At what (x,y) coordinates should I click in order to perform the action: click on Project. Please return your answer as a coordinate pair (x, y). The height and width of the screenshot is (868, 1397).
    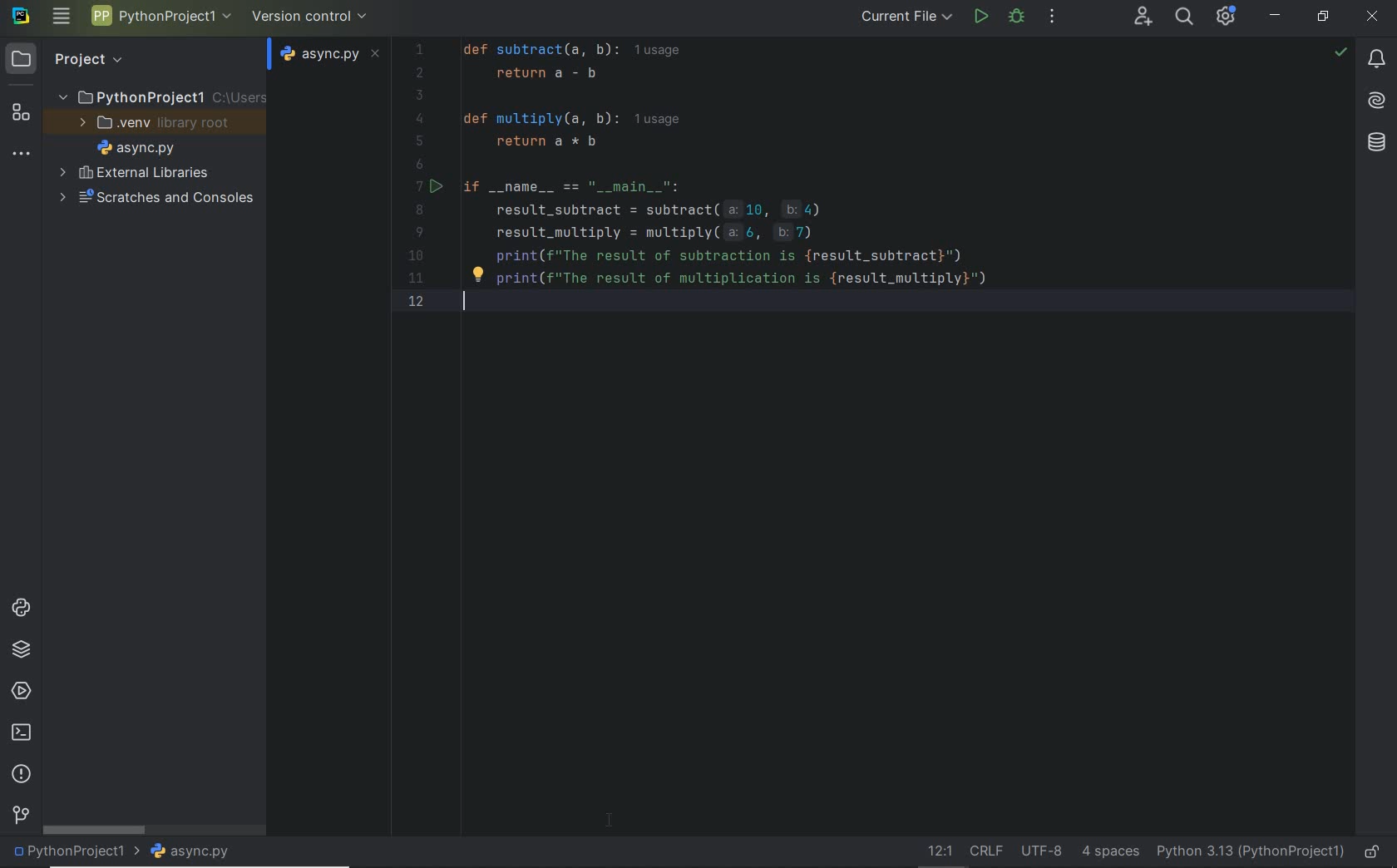
    Looking at the image, I should click on (119, 60).